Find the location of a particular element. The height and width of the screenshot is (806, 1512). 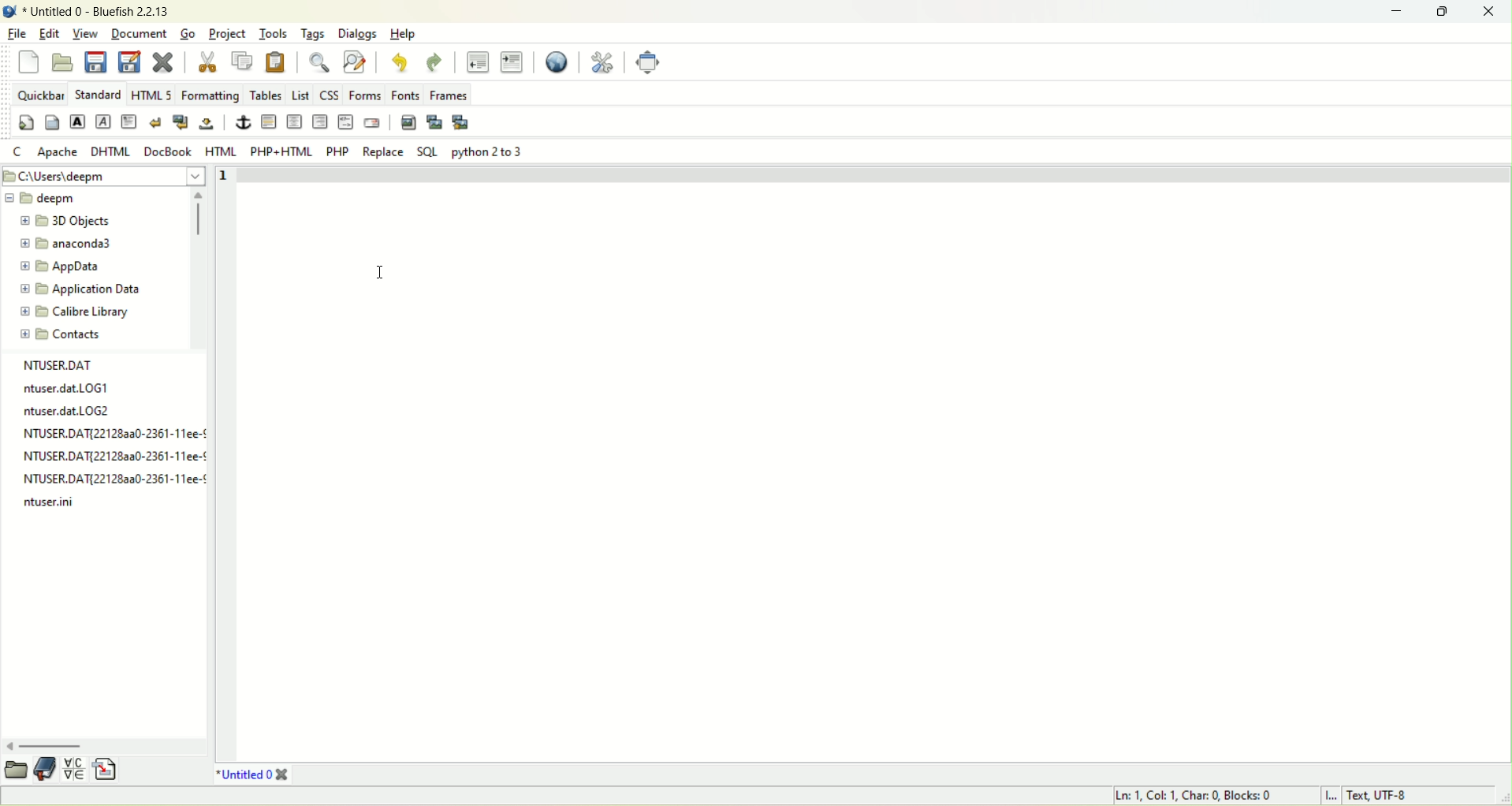

PHP+HTML is located at coordinates (282, 152).